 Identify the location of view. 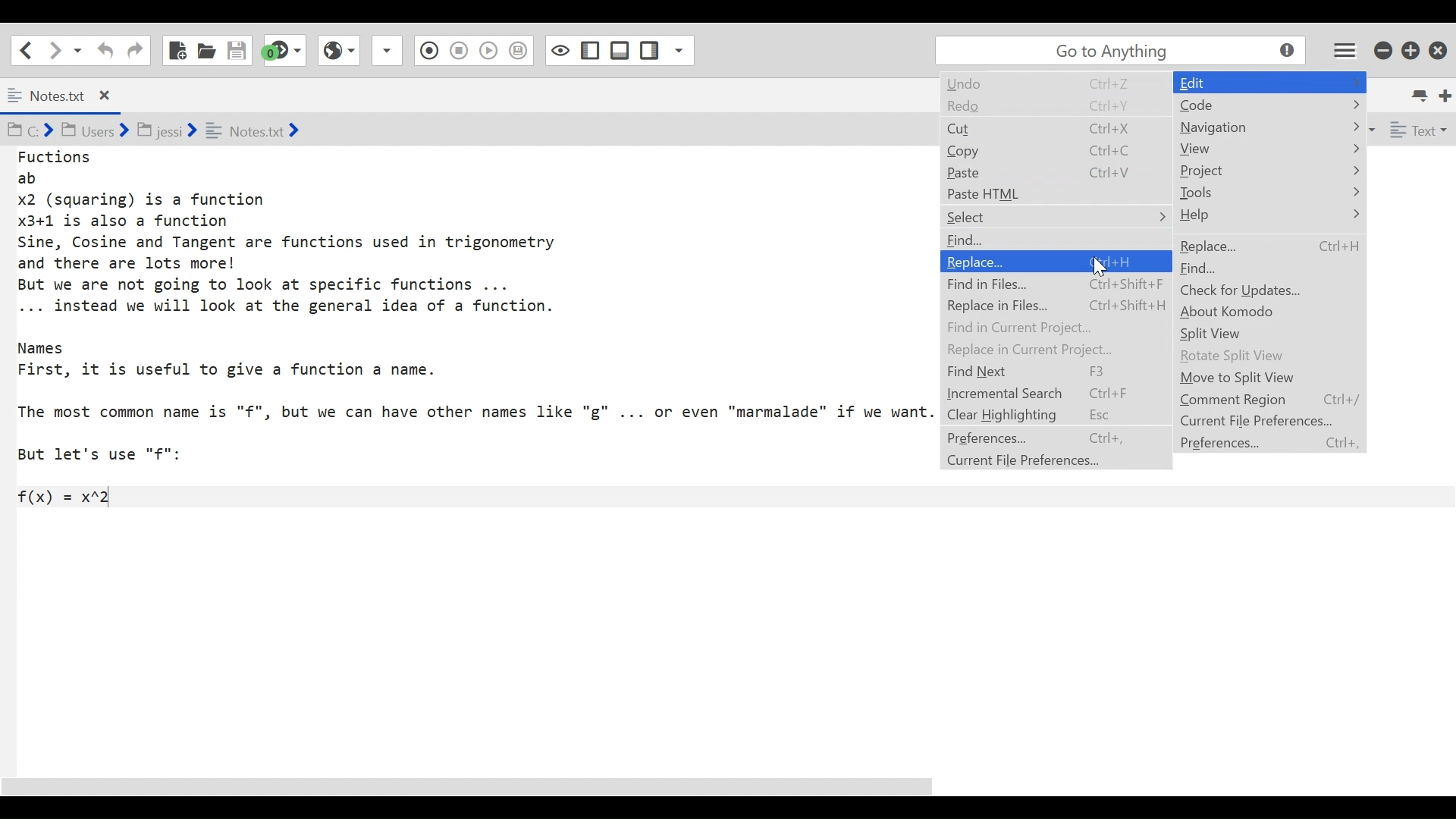
(1248, 151).